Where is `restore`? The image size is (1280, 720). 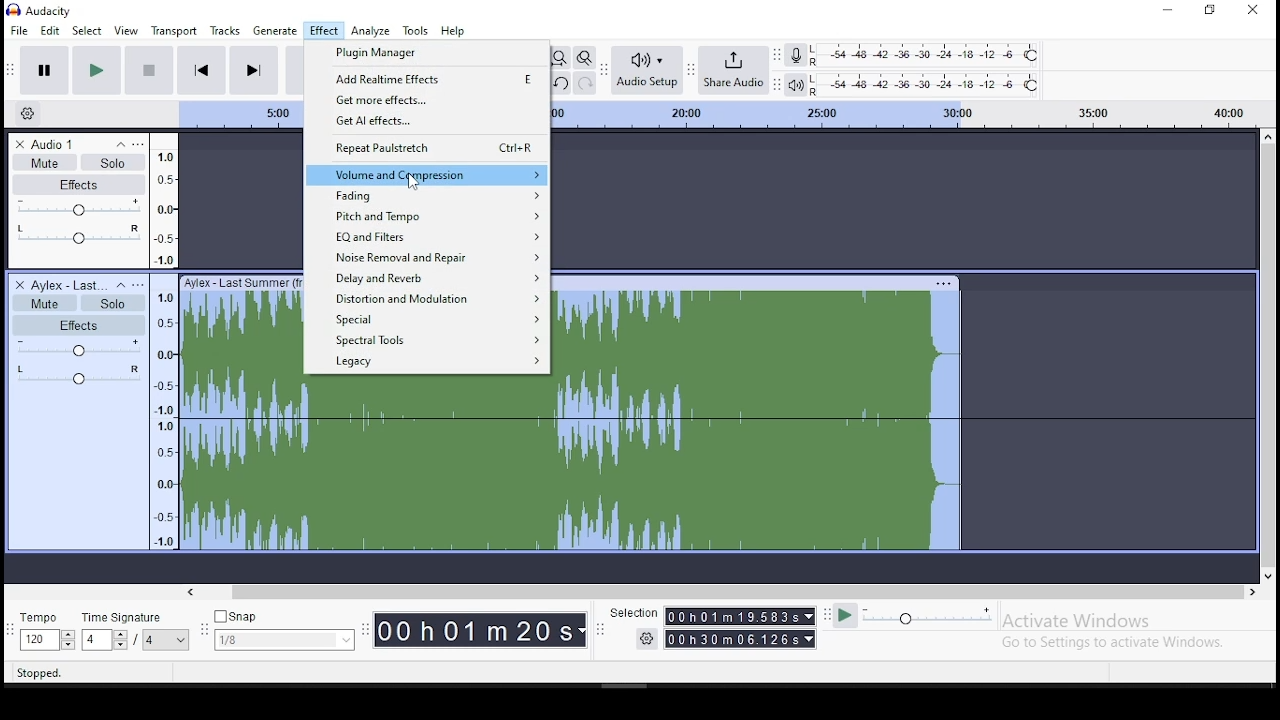
restore is located at coordinates (1209, 11).